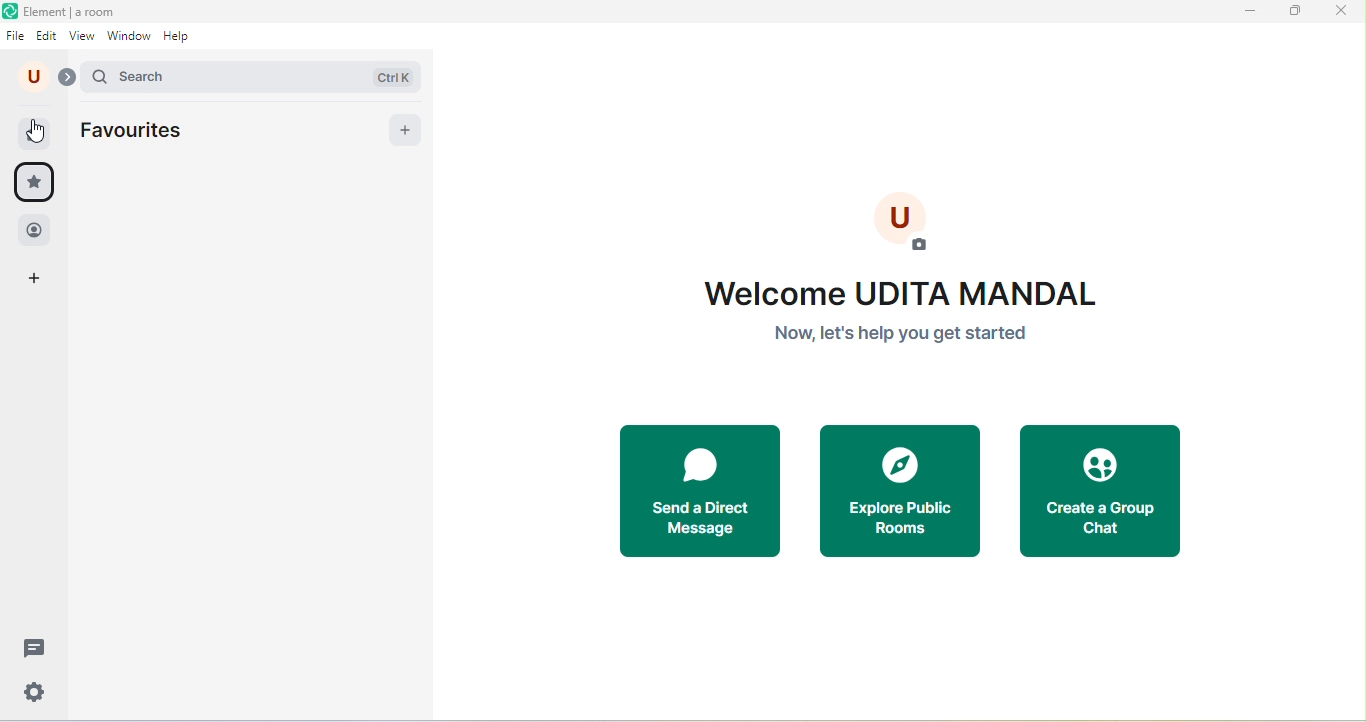 This screenshot has height=722, width=1366. I want to click on add, so click(402, 128).